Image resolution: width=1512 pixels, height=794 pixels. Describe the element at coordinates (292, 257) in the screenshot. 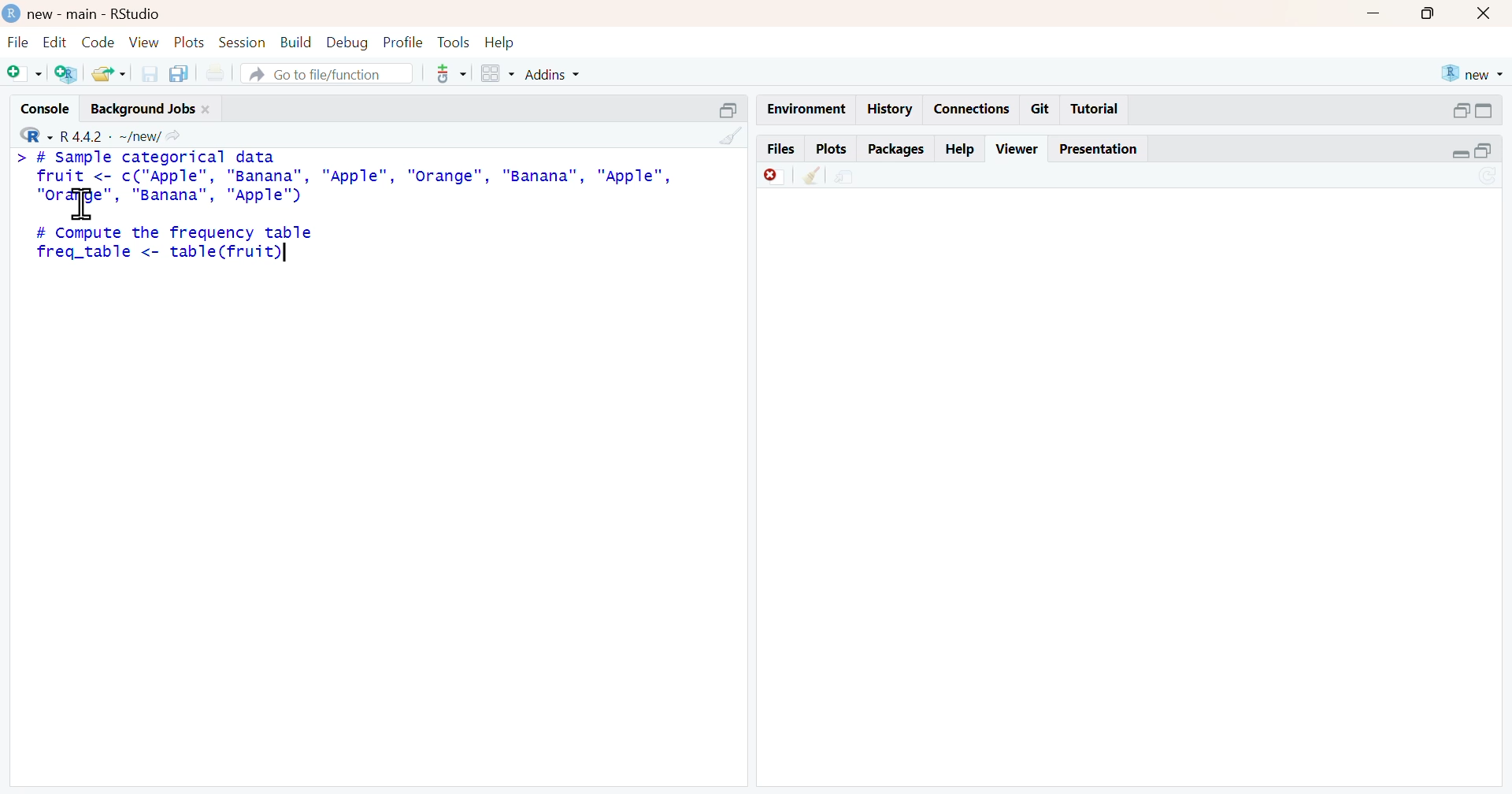

I see `text cursor` at that location.